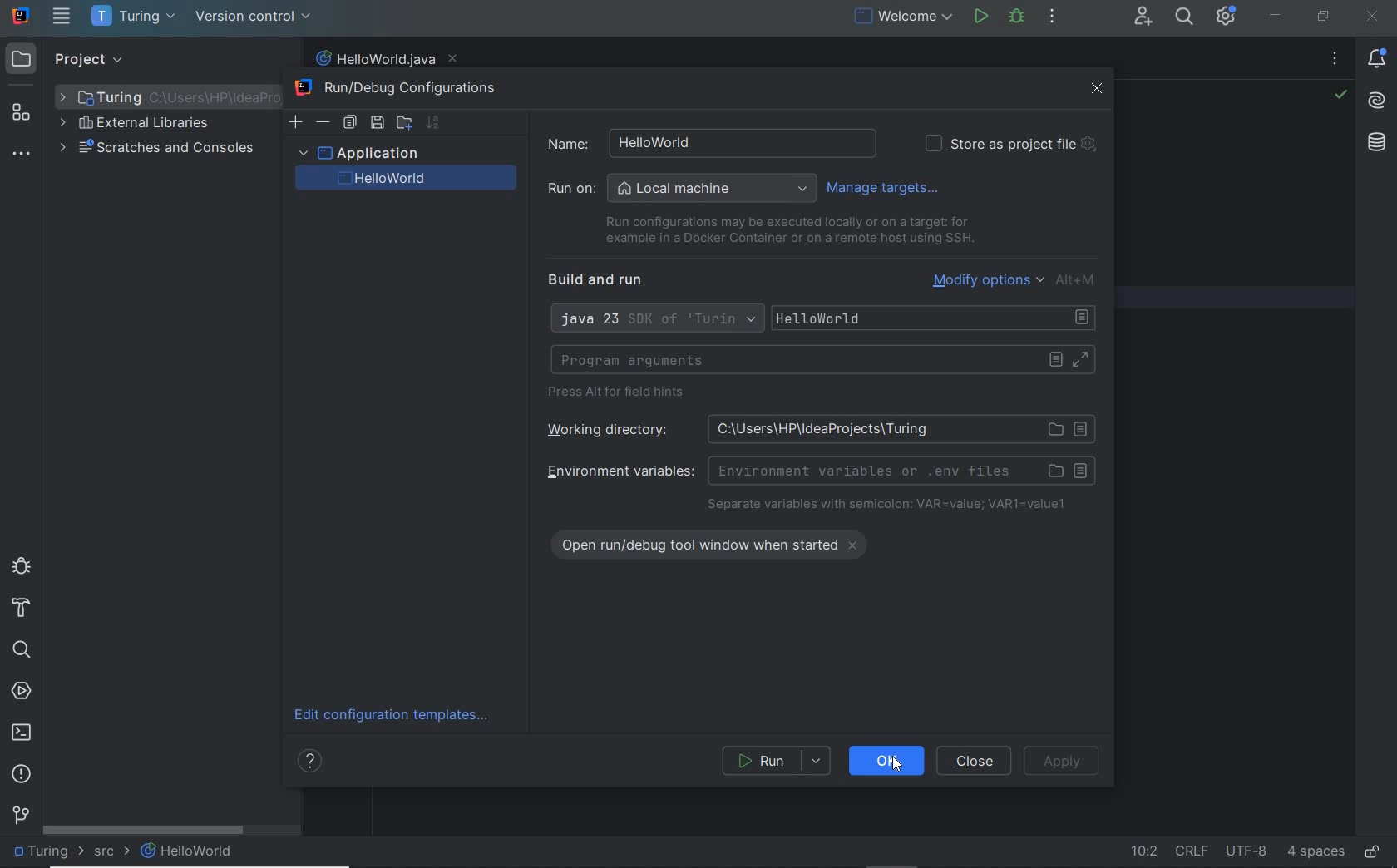 This screenshot has height=868, width=1397. I want to click on APPLICATION, so click(358, 152).